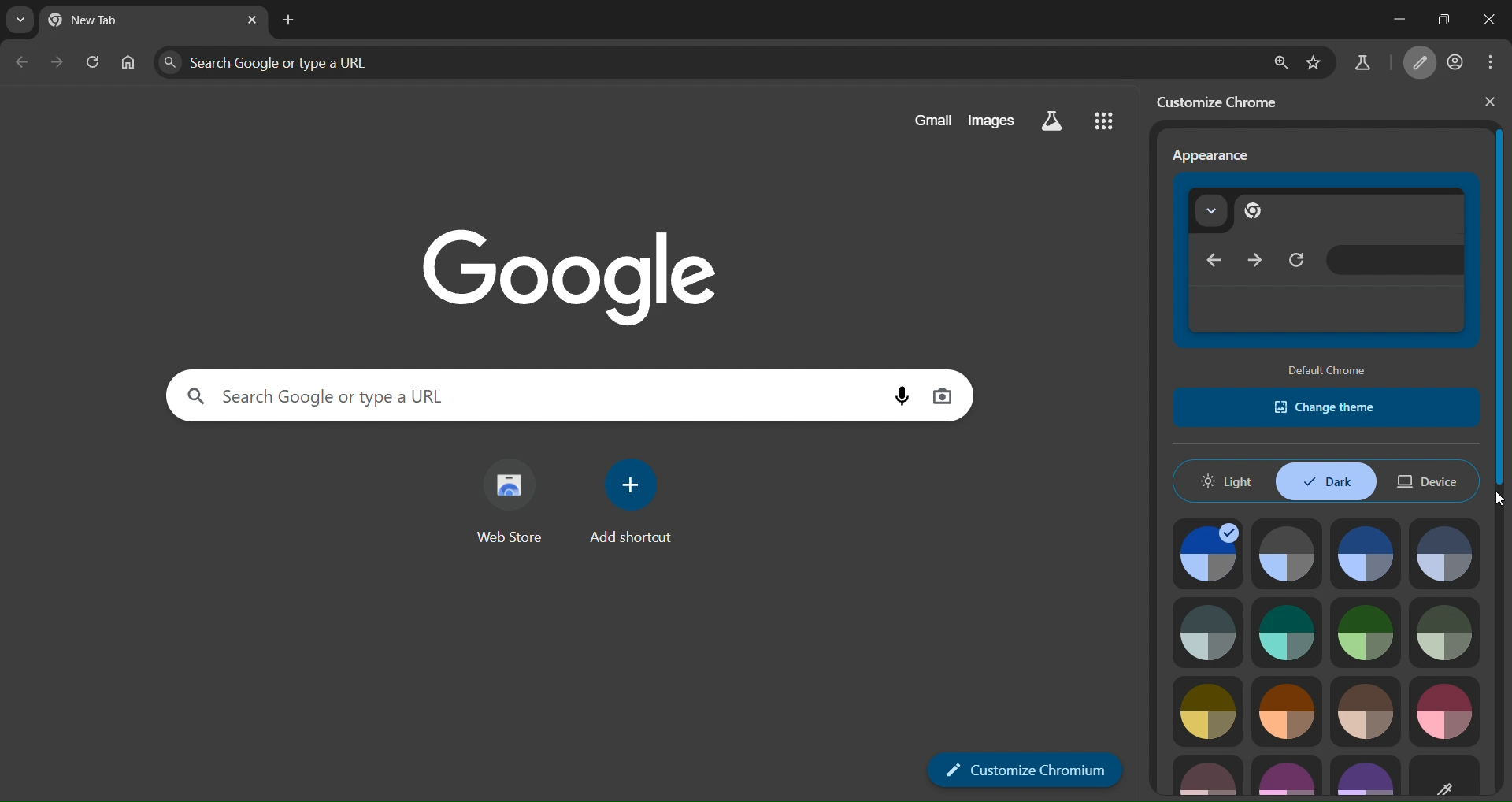 Image resolution: width=1512 pixels, height=802 pixels. Describe the element at coordinates (902, 395) in the screenshot. I see `voice search` at that location.